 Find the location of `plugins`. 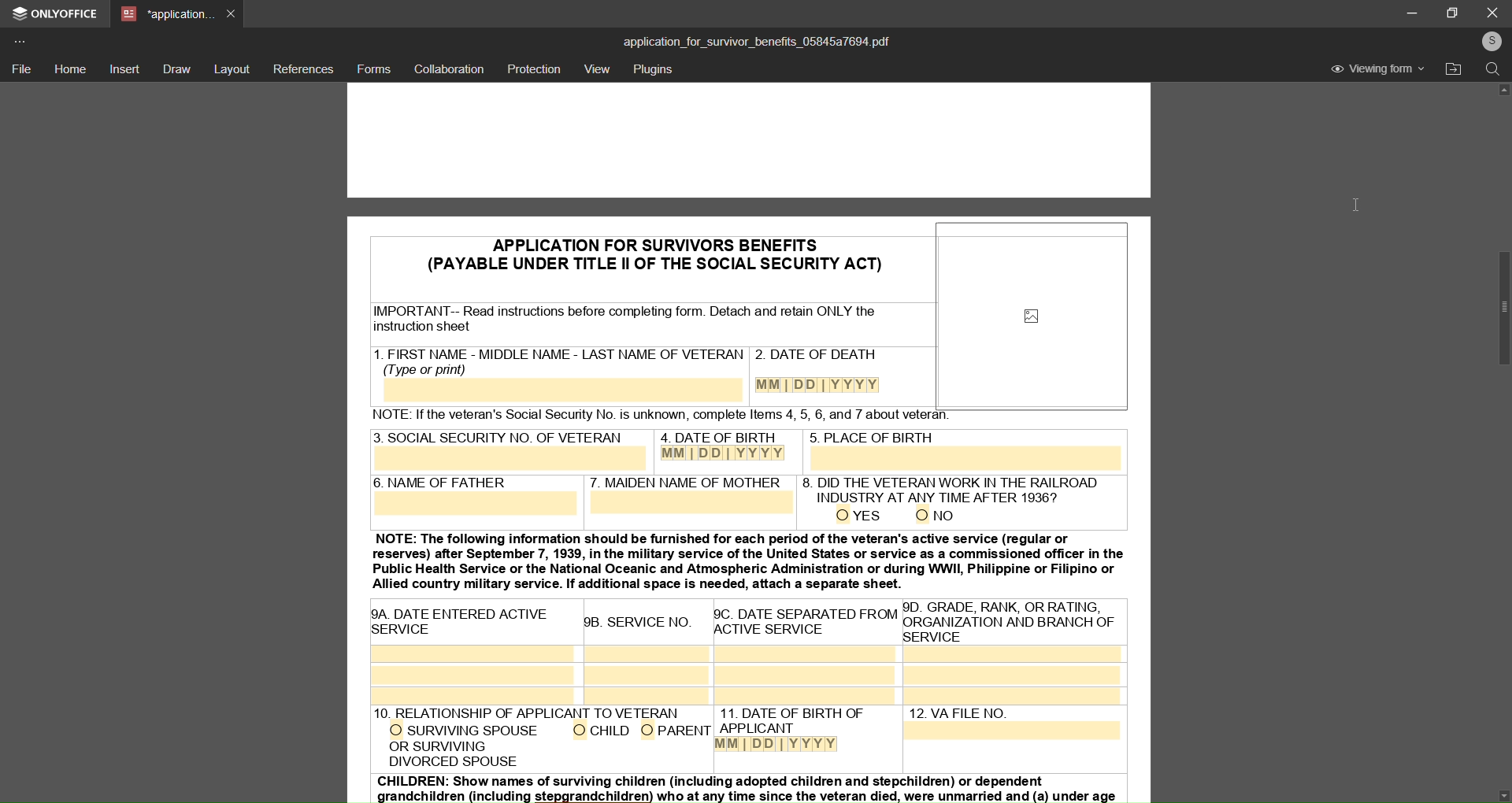

plugins is located at coordinates (655, 71).